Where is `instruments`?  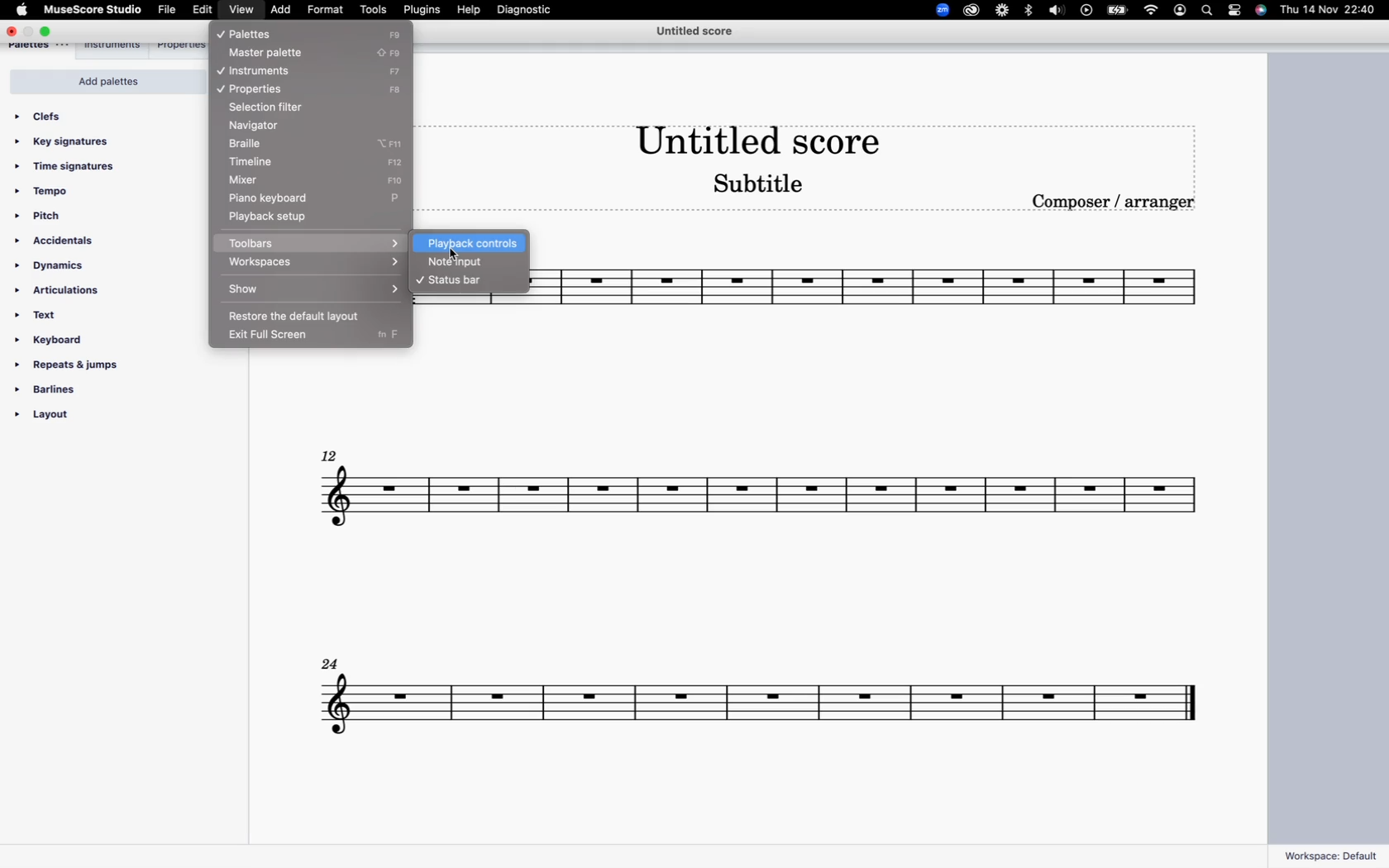 instruments is located at coordinates (116, 47).